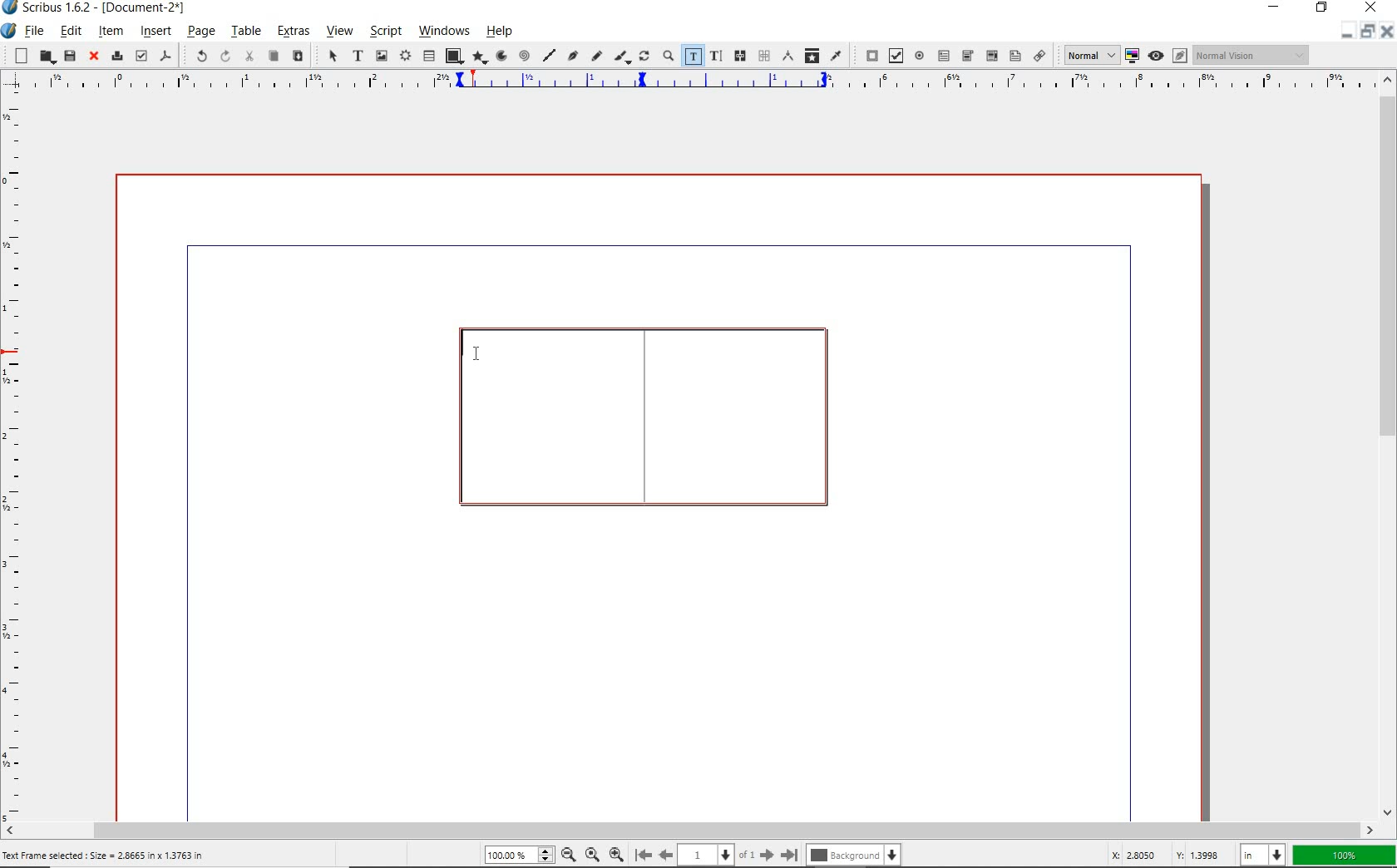 The width and height of the screenshot is (1397, 868). What do you see at coordinates (700, 83) in the screenshot?
I see `ruler` at bounding box center [700, 83].